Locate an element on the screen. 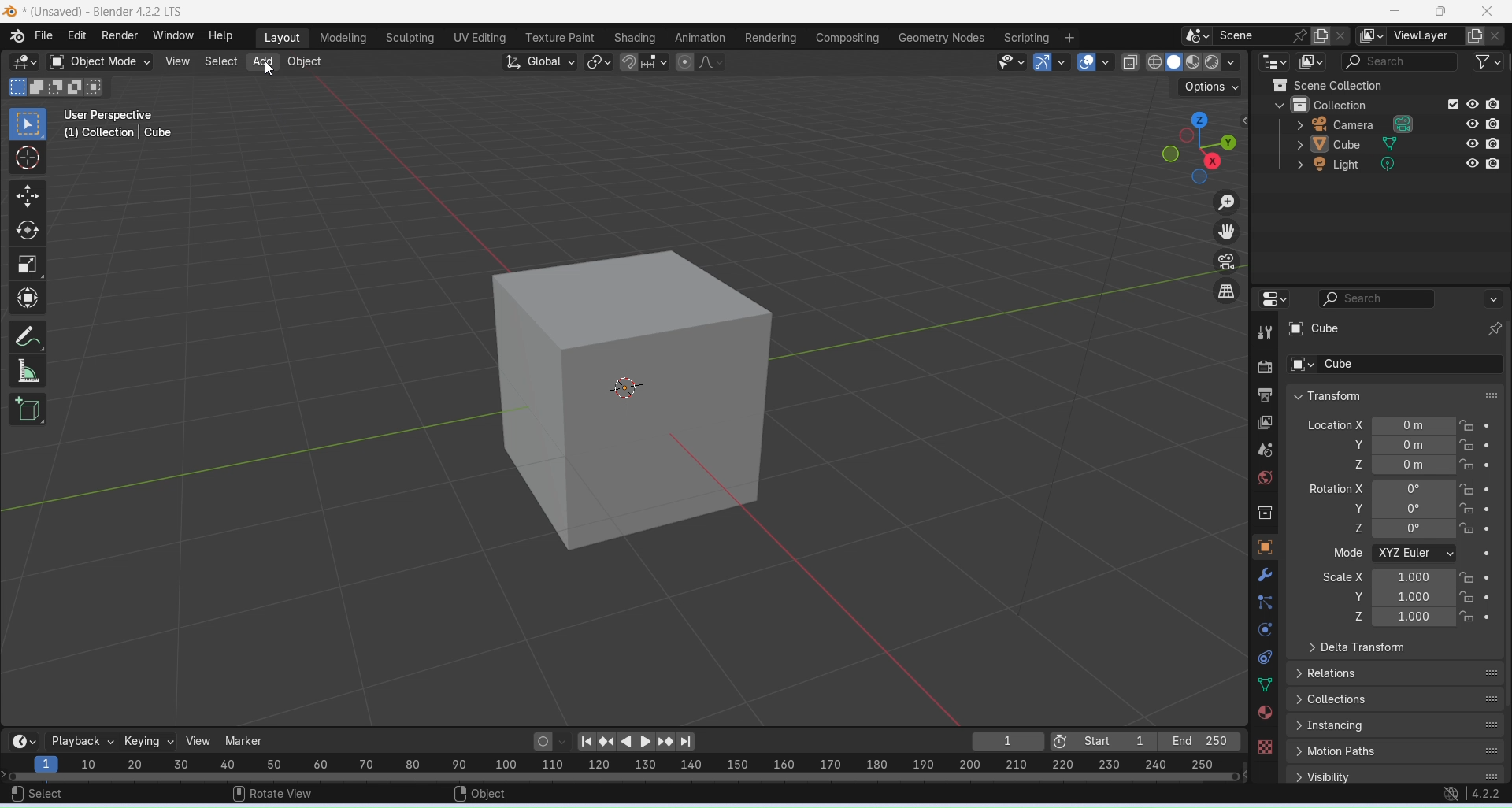 Image resolution: width=1512 pixels, height=808 pixels. Add is located at coordinates (261, 61).